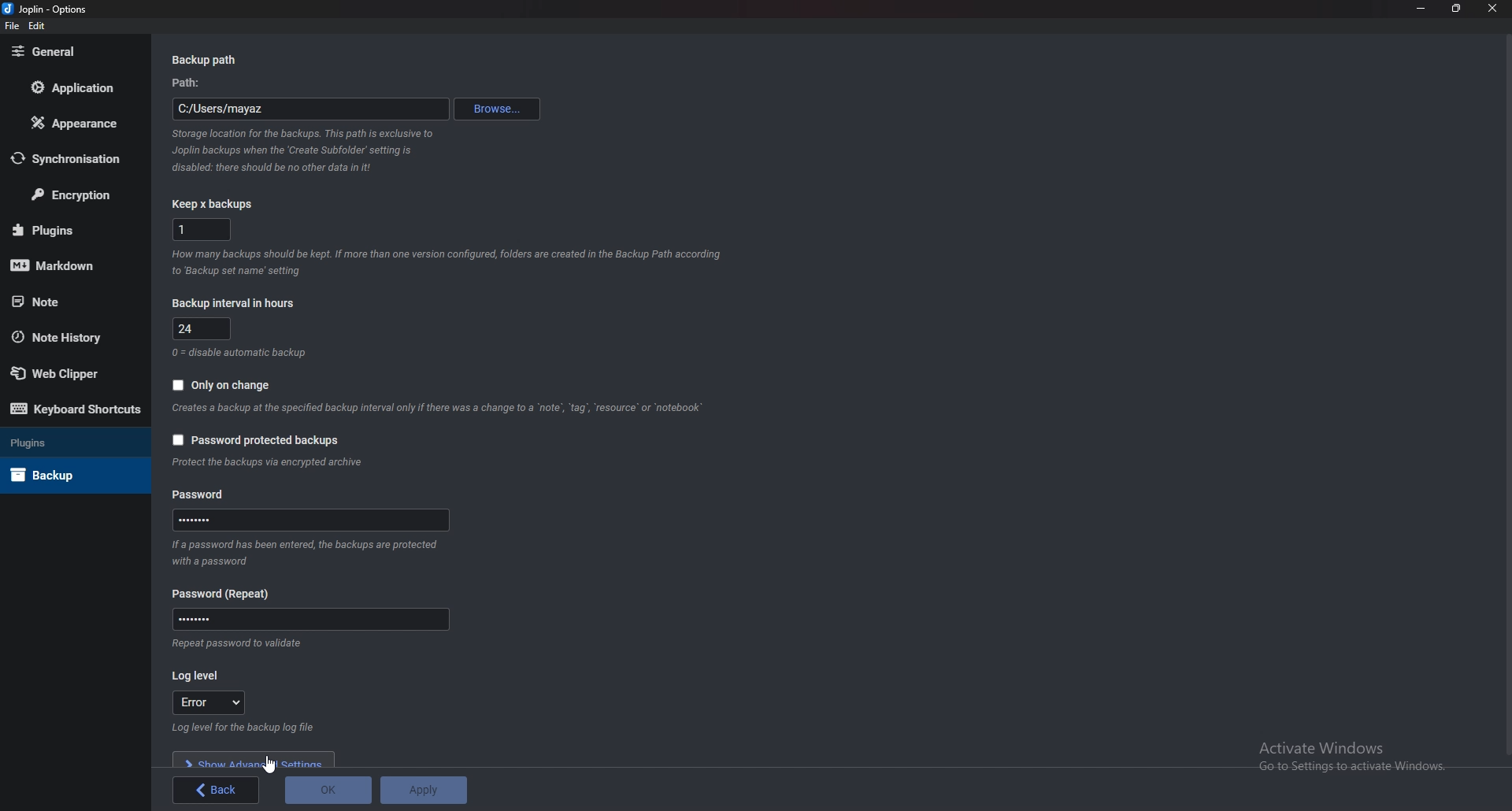 Image resolution: width=1512 pixels, height=811 pixels. I want to click on Backup interval in hours, so click(236, 303).